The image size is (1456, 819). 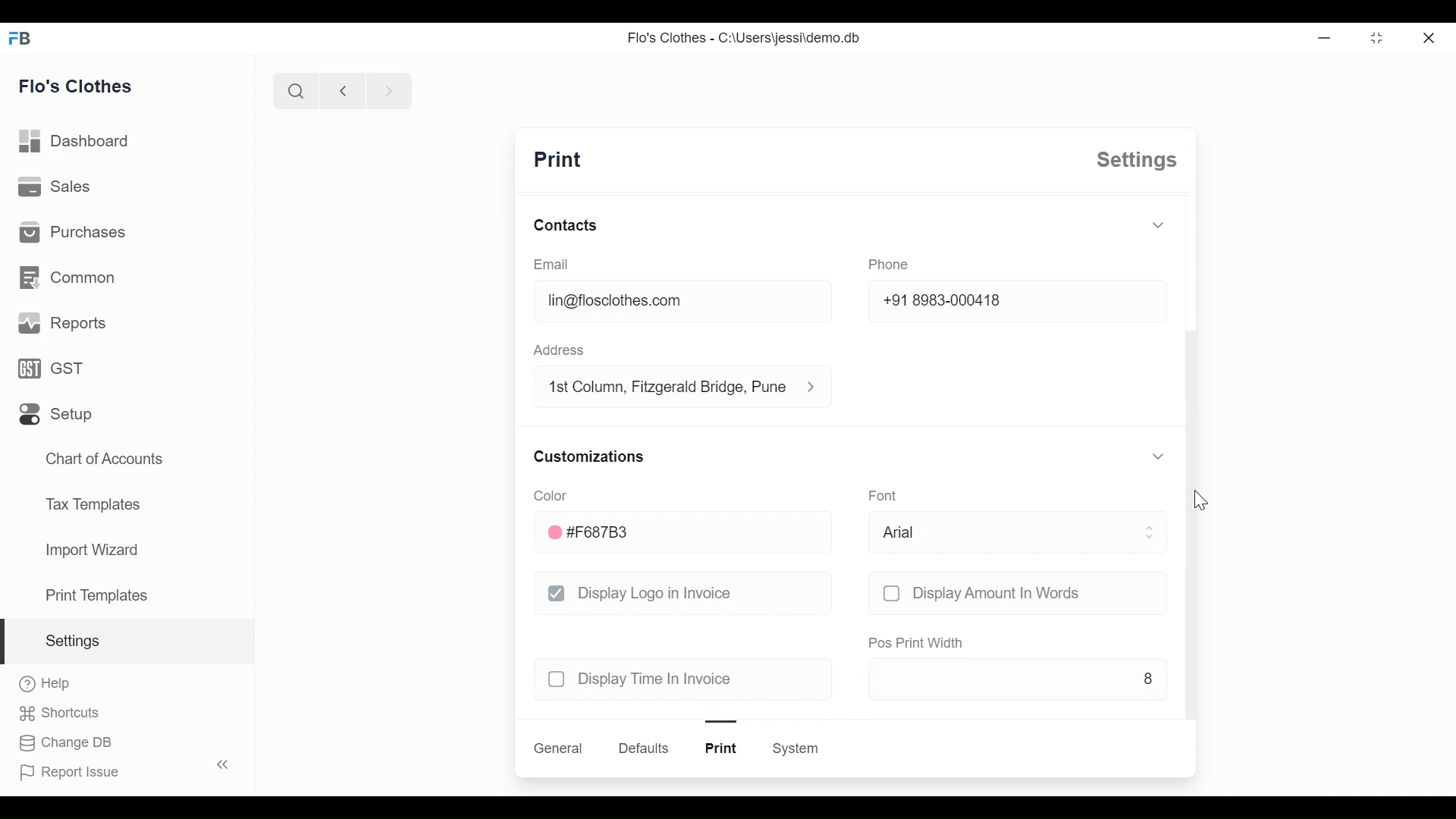 I want to click on report issue, so click(x=70, y=773).